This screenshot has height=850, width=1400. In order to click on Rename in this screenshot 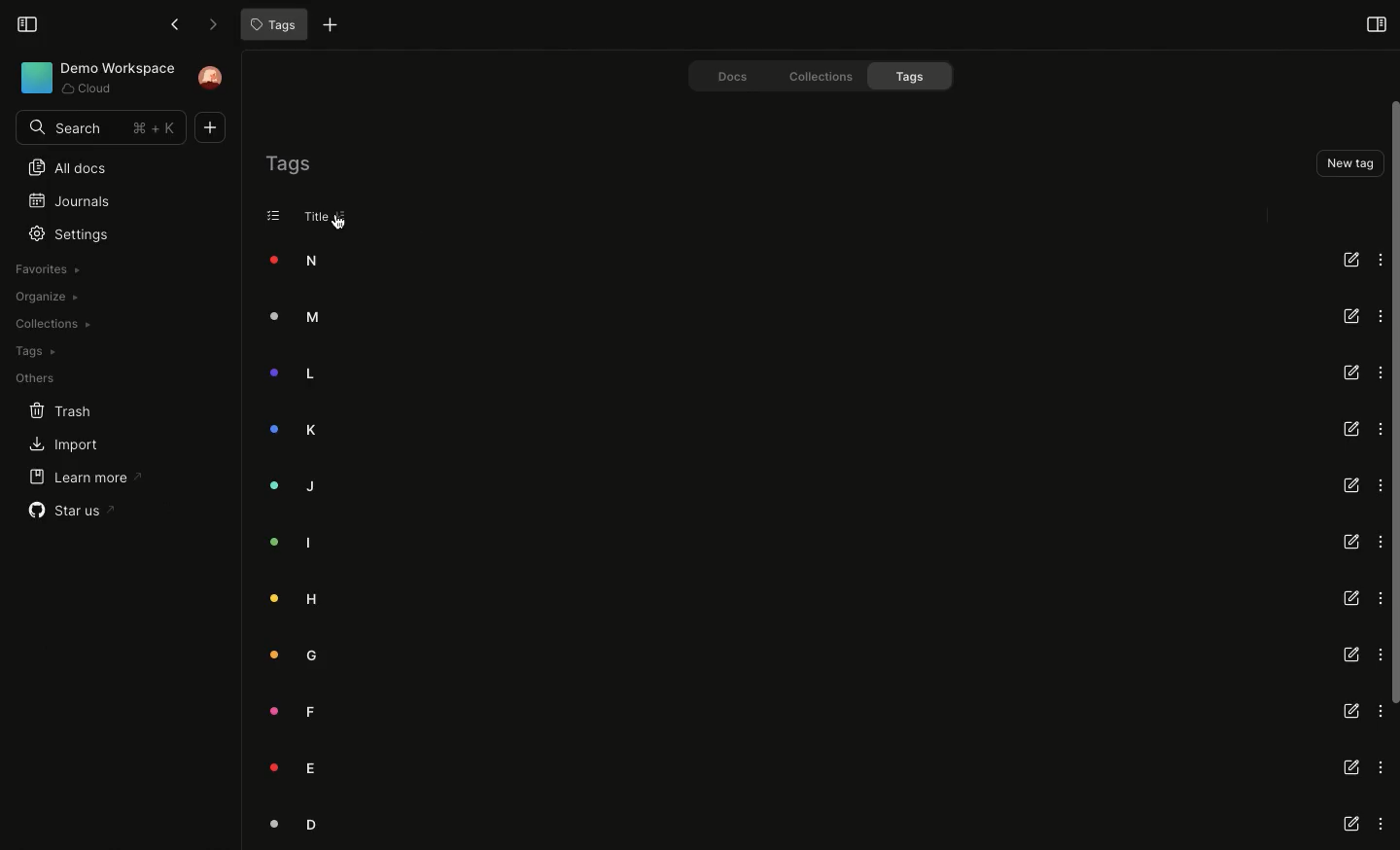, I will do `click(1350, 258)`.